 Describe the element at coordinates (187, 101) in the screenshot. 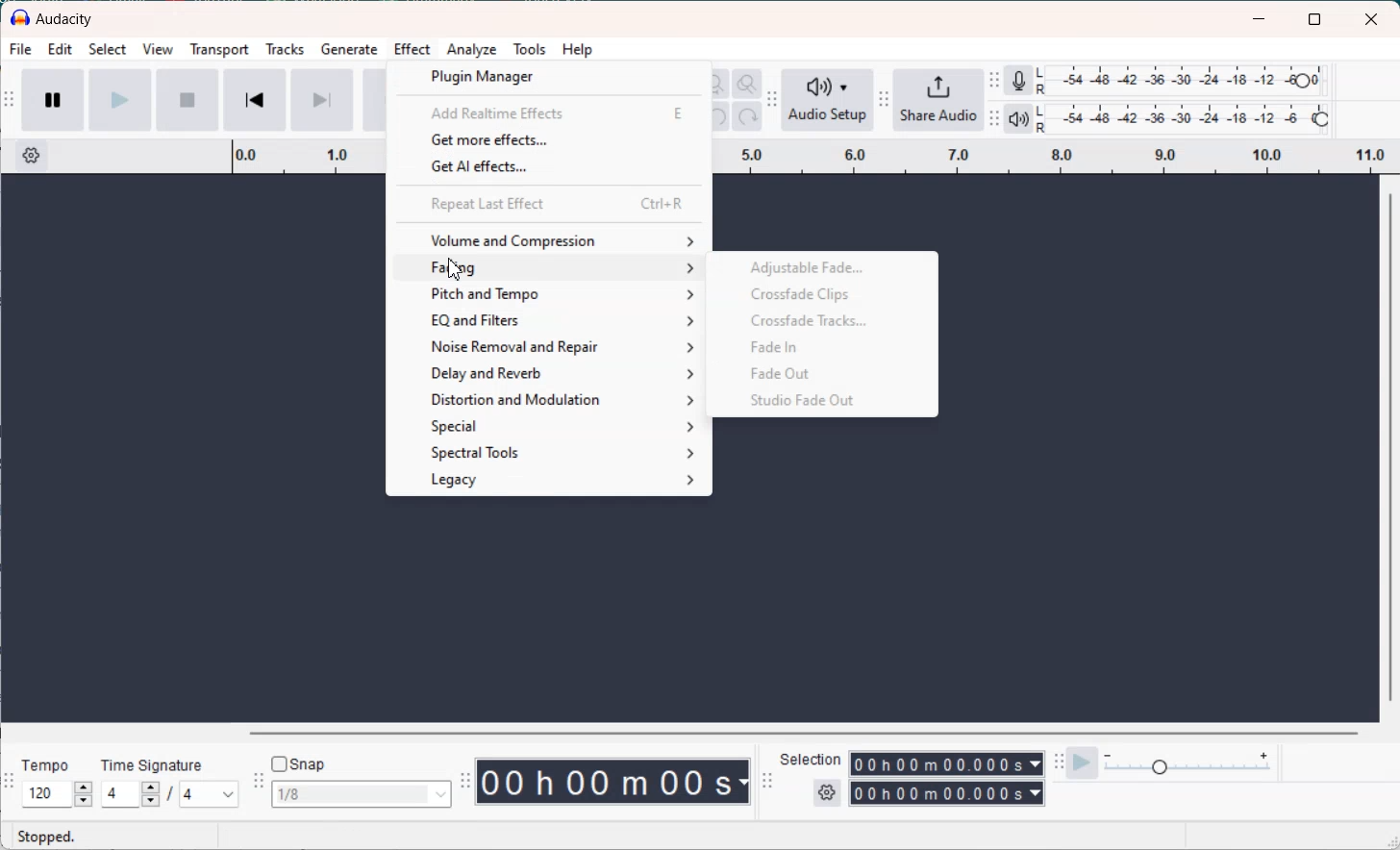

I see `Stop` at that location.